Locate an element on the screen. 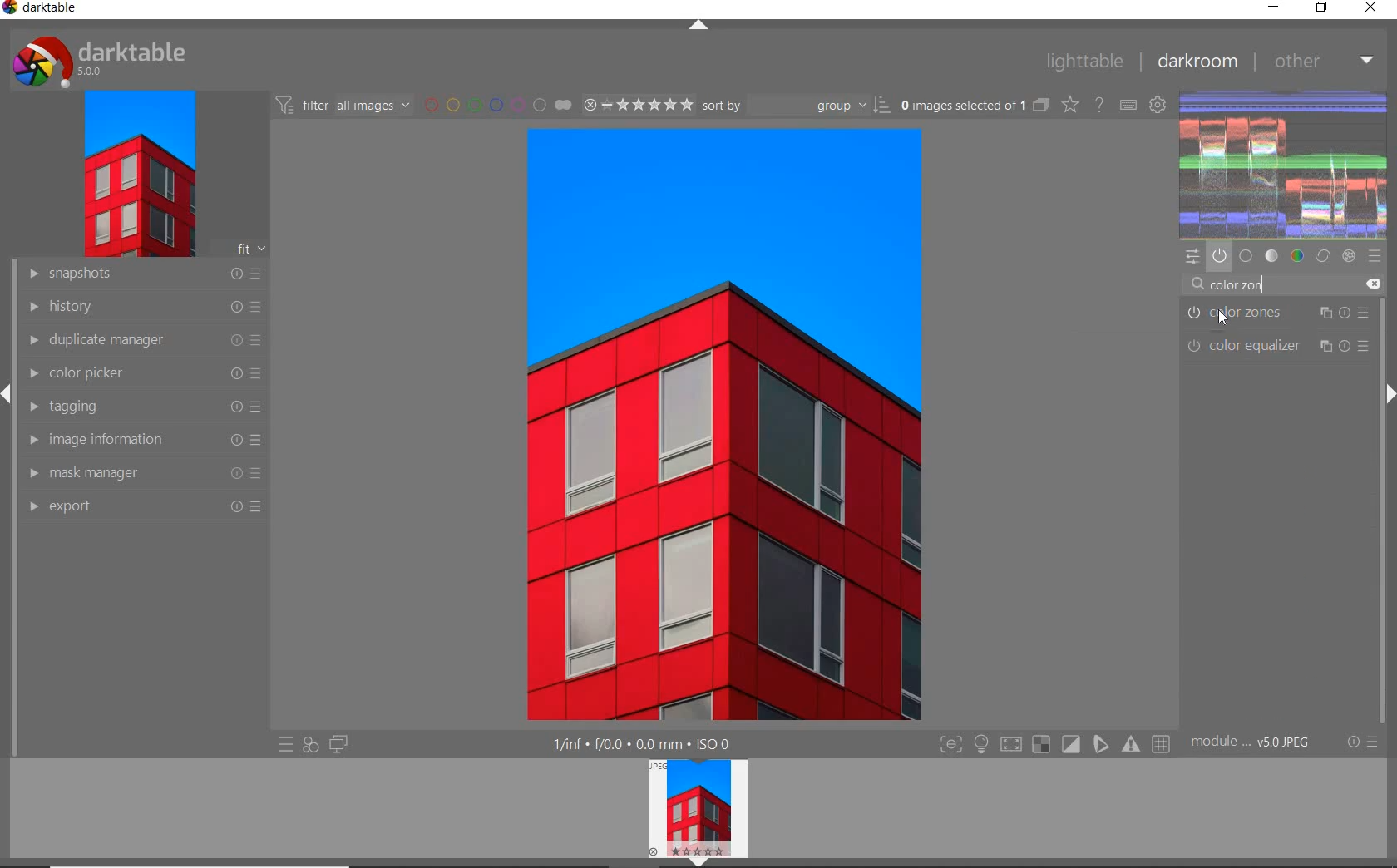  image is located at coordinates (138, 175).